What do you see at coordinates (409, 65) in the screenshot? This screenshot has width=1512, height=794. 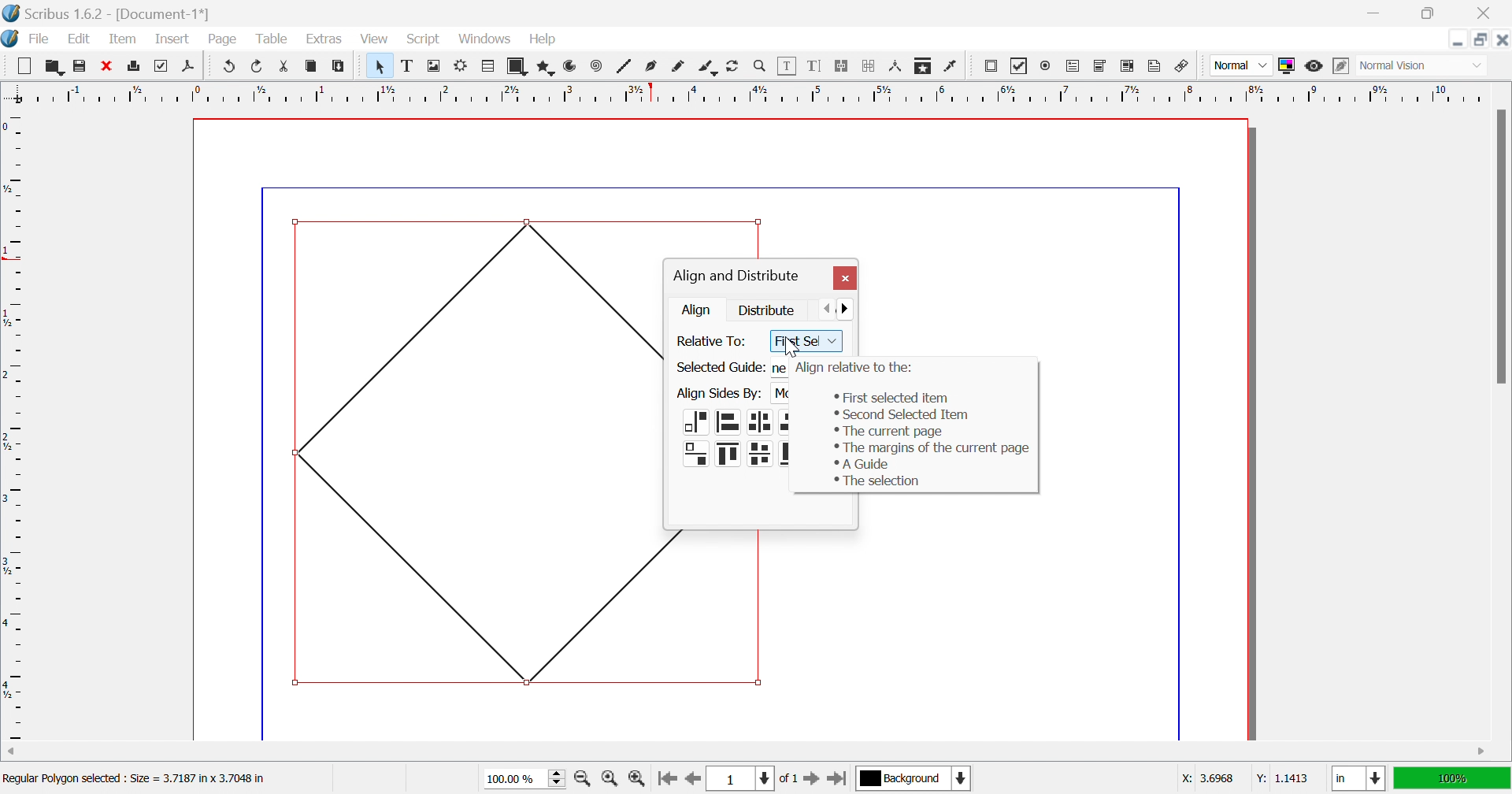 I see `Text frame` at bounding box center [409, 65].